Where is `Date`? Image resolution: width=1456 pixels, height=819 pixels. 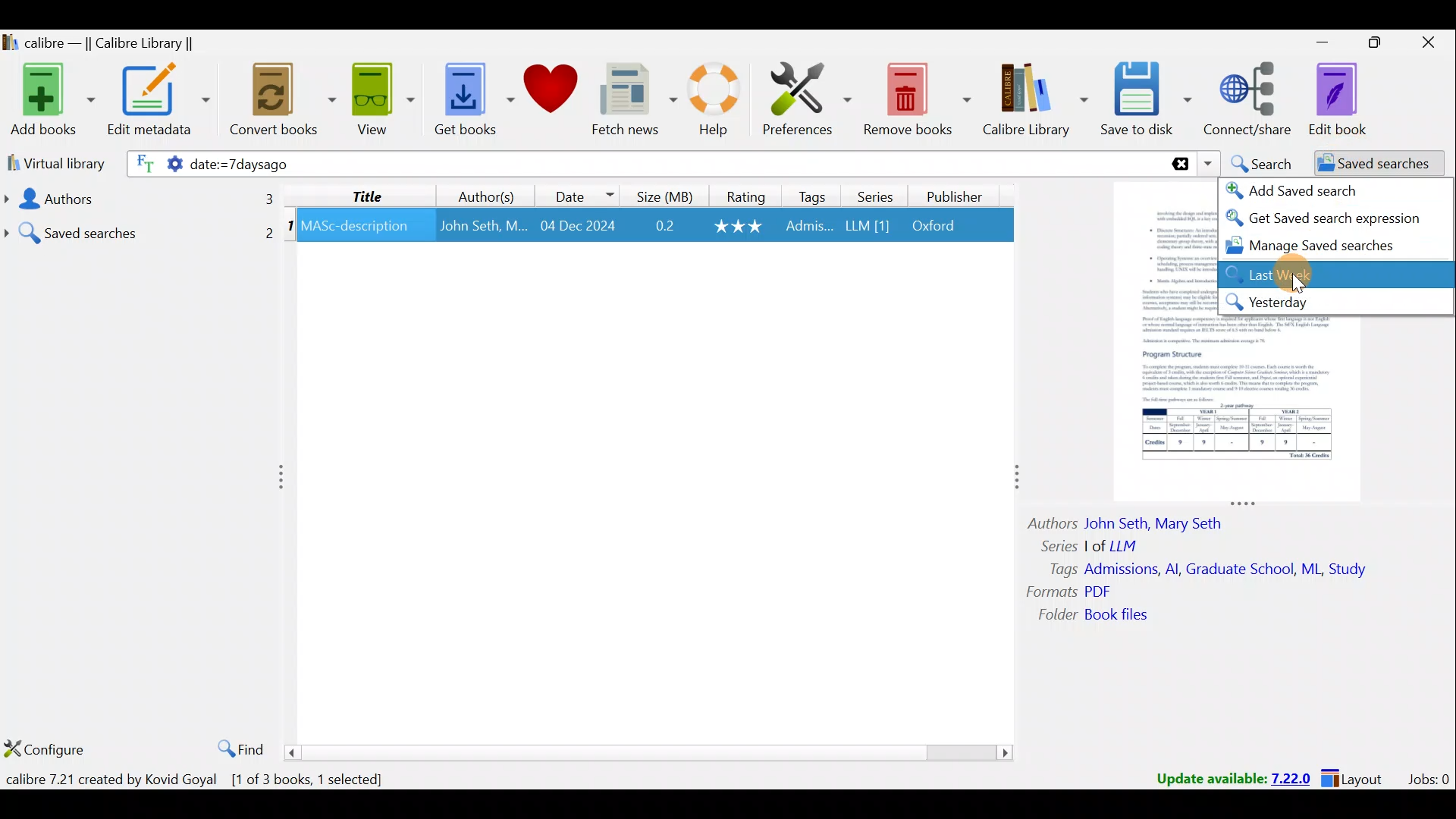
Date is located at coordinates (583, 193).